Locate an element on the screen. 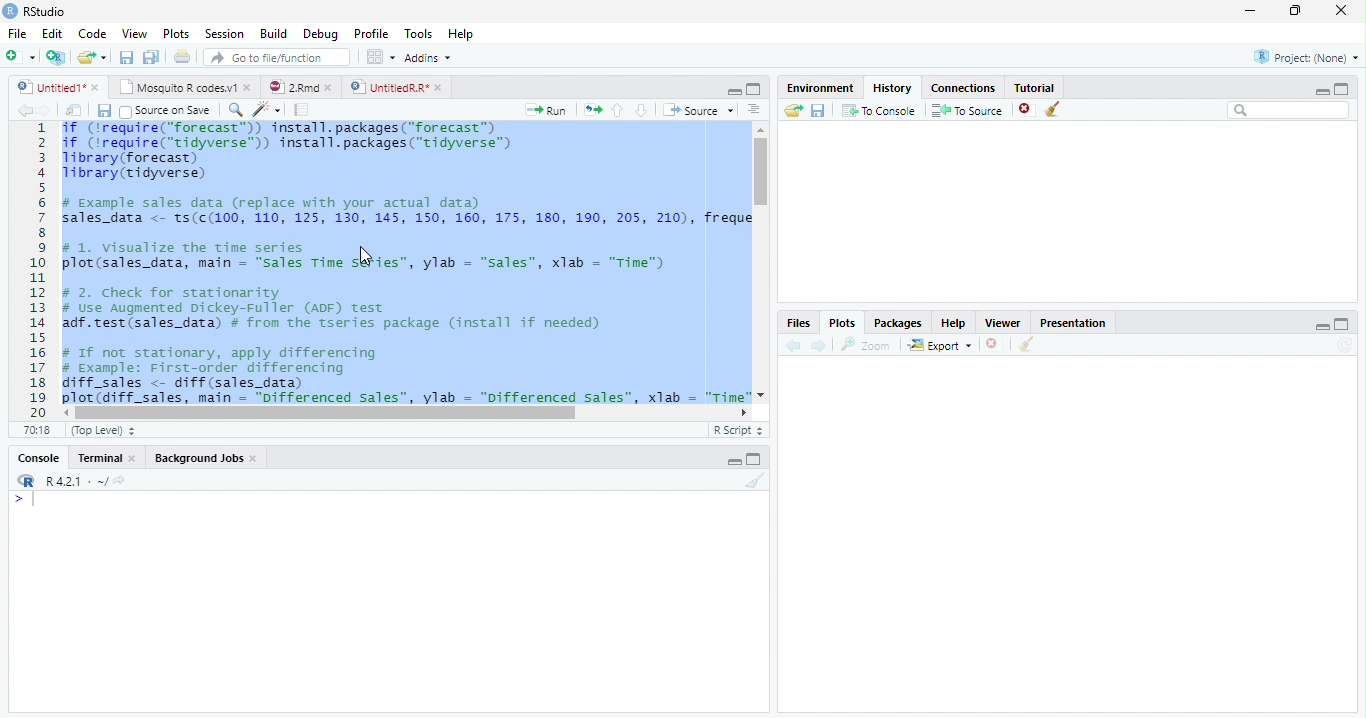  Project(none) is located at coordinates (1305, 56).